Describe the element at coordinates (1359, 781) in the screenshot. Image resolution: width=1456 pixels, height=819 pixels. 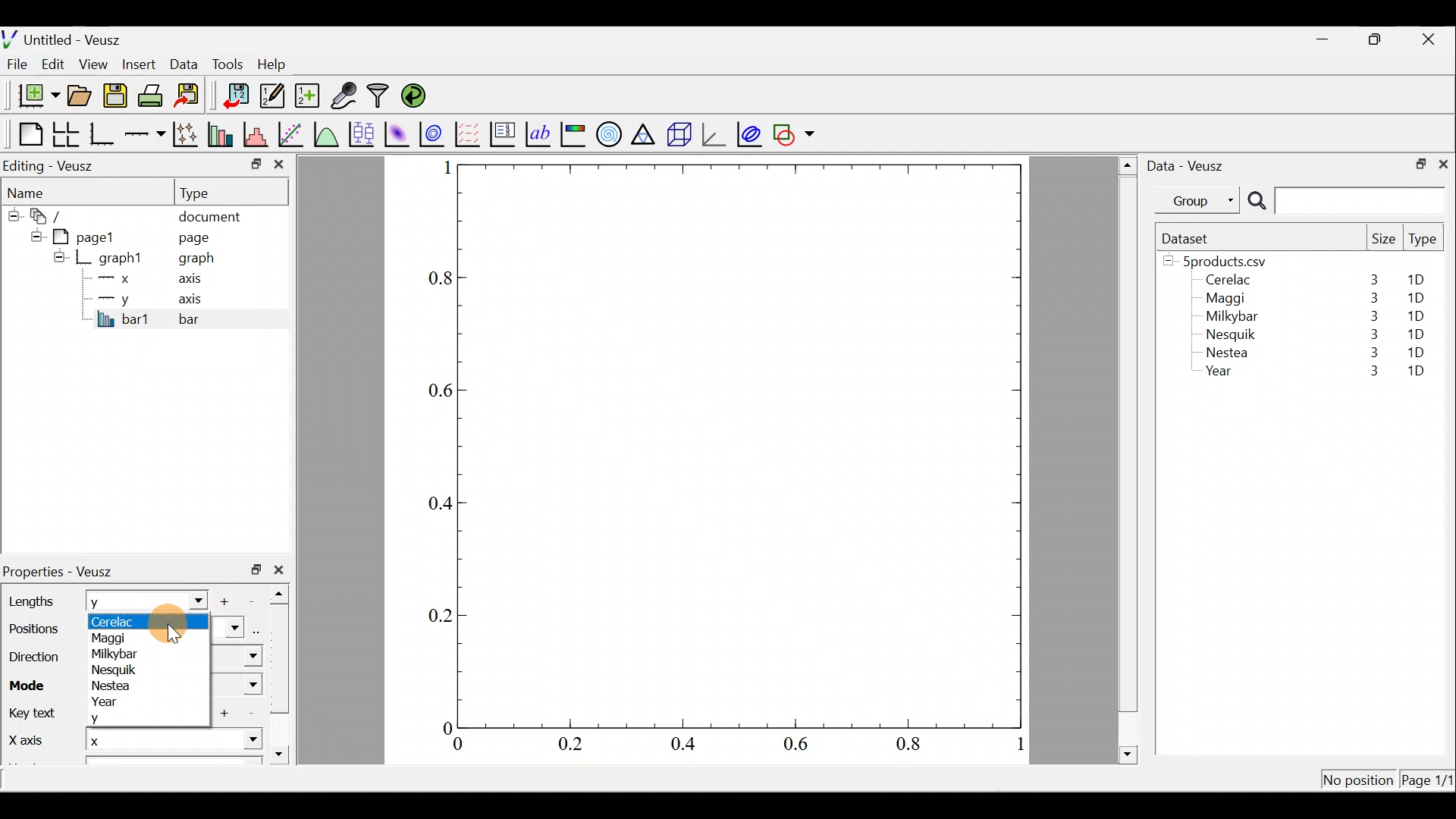
I see `No position` at that location.